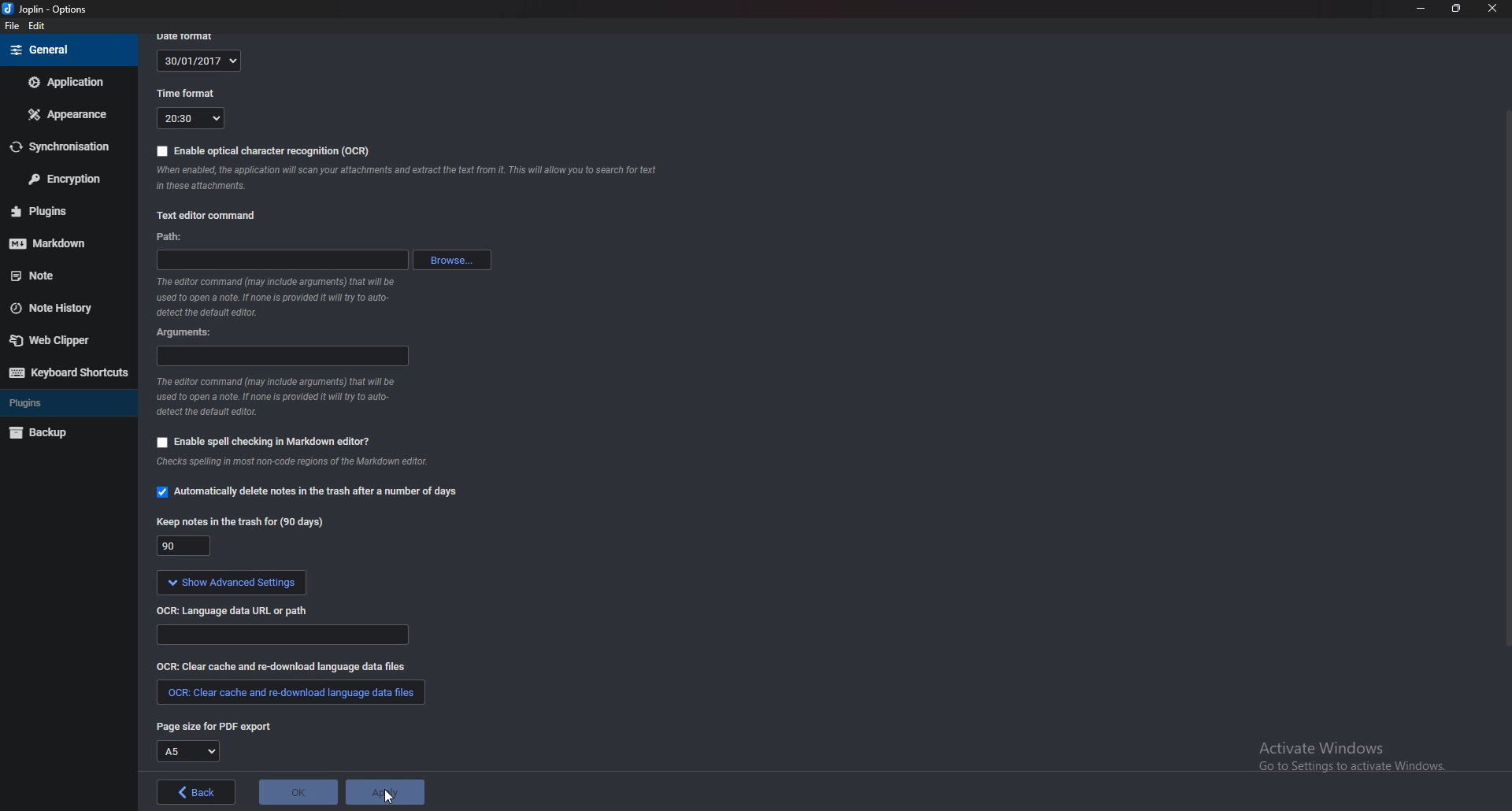 The image size is (1512, 811). I want to click on enable OCR, so click(266, 151).